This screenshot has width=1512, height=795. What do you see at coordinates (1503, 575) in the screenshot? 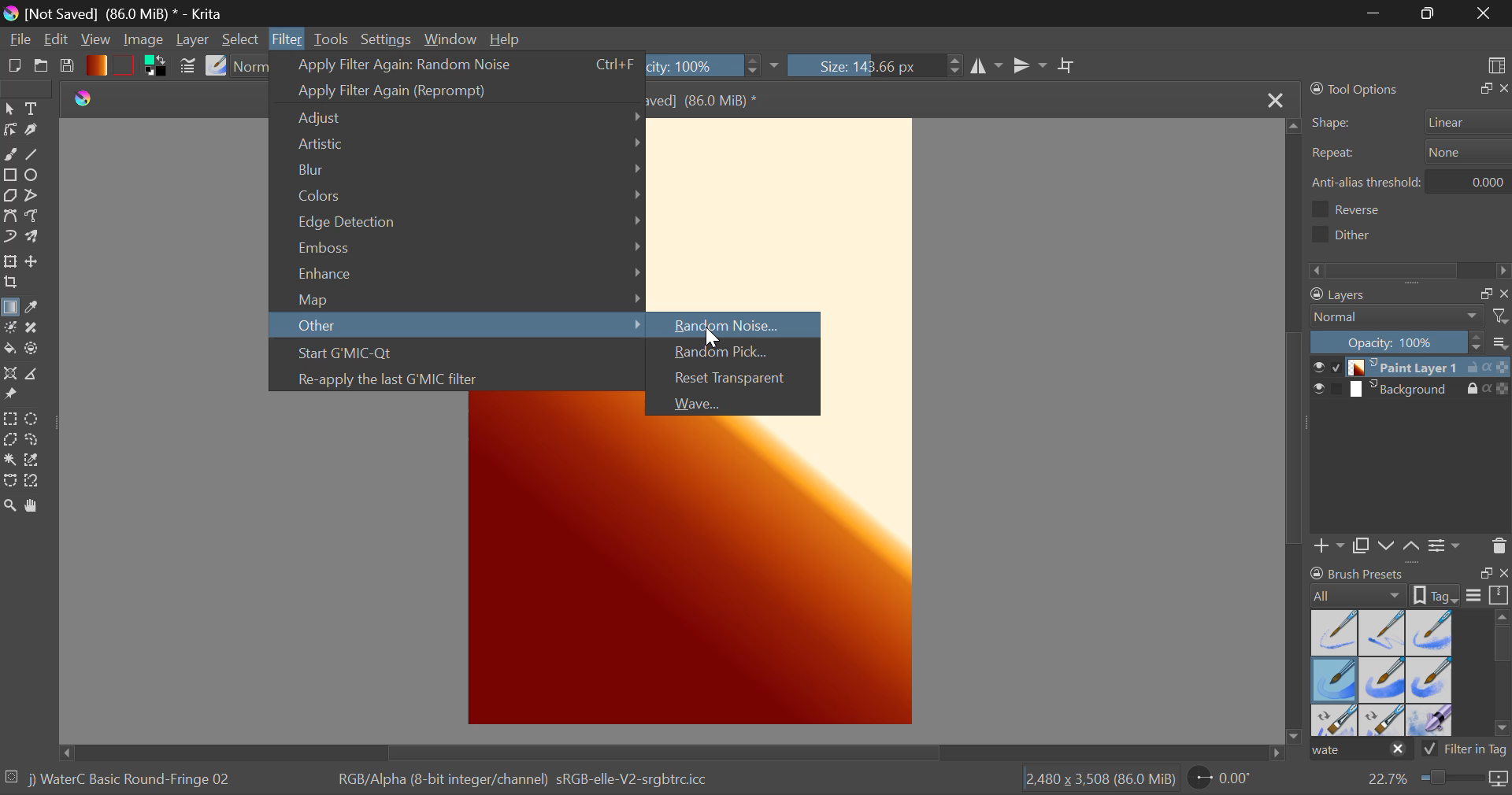
I see `close` at bounding box center [1503, 575].